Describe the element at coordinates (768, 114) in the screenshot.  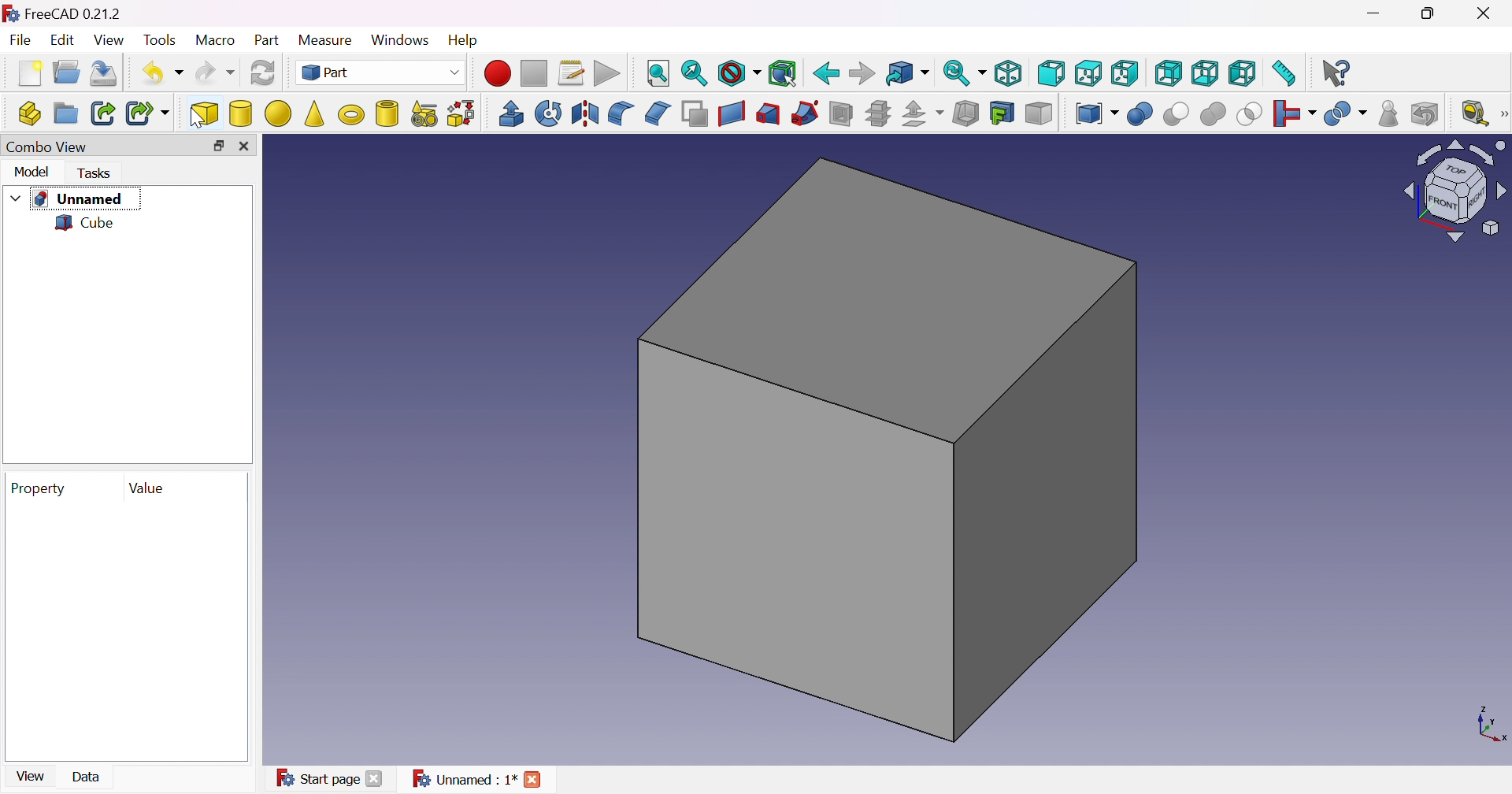
I see `Loft` at that location.